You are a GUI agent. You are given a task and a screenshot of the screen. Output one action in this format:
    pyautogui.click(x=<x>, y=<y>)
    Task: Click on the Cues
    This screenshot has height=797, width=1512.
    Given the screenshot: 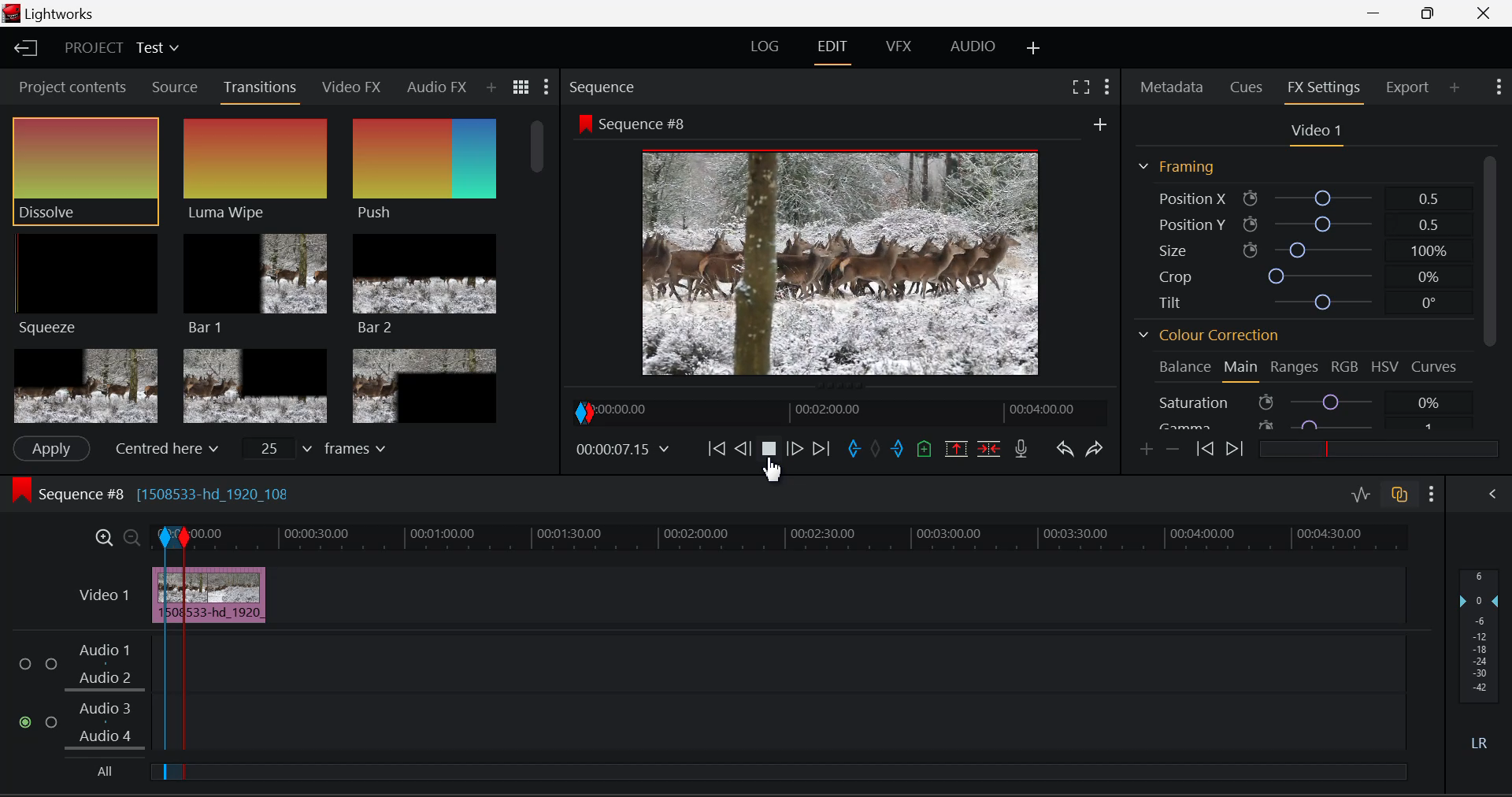 What is the action you would take?
    pyautogui.click(x=1244, y=88)
    